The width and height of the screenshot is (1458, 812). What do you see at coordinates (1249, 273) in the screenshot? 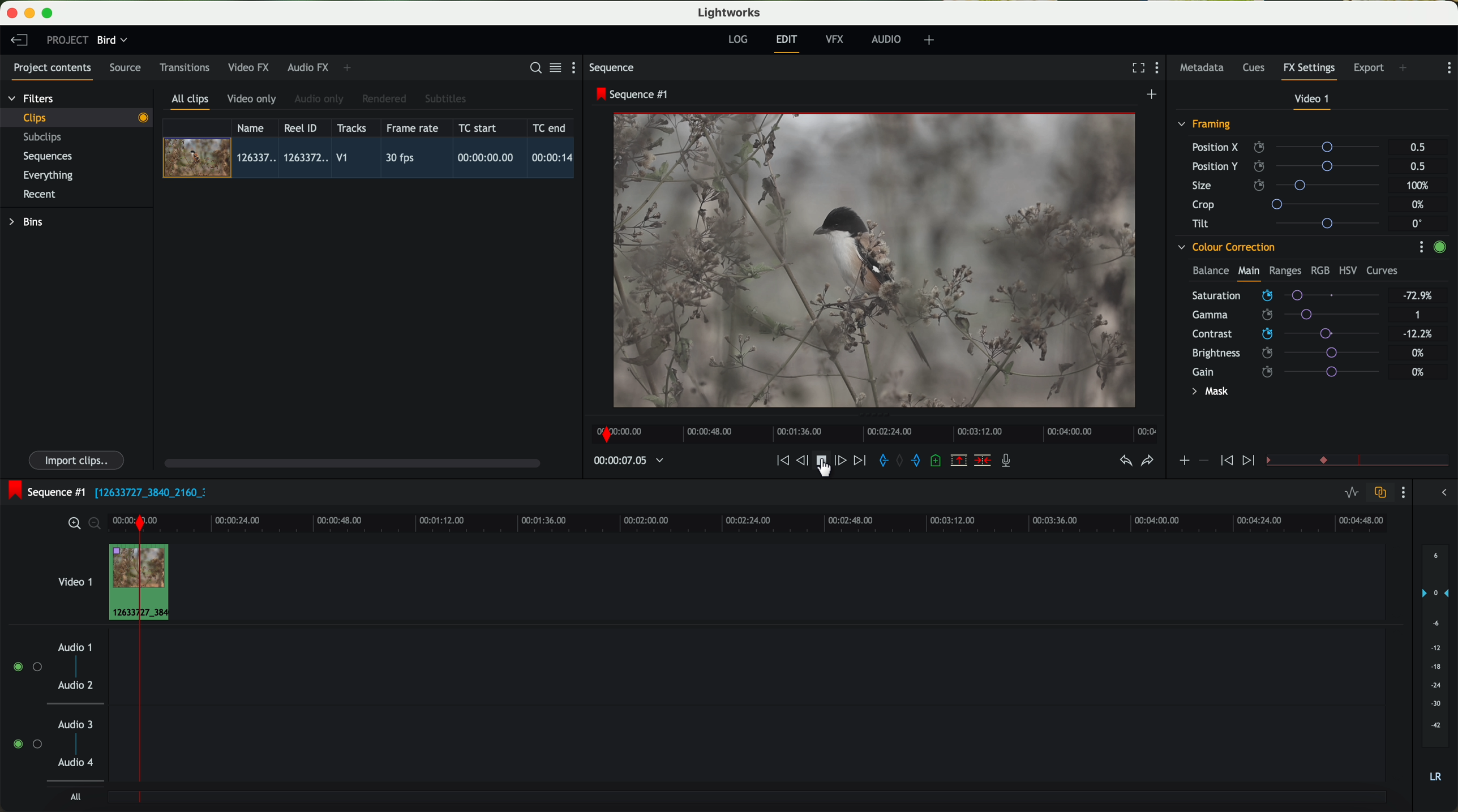
I see `main` at bounding box center [1249, 273].